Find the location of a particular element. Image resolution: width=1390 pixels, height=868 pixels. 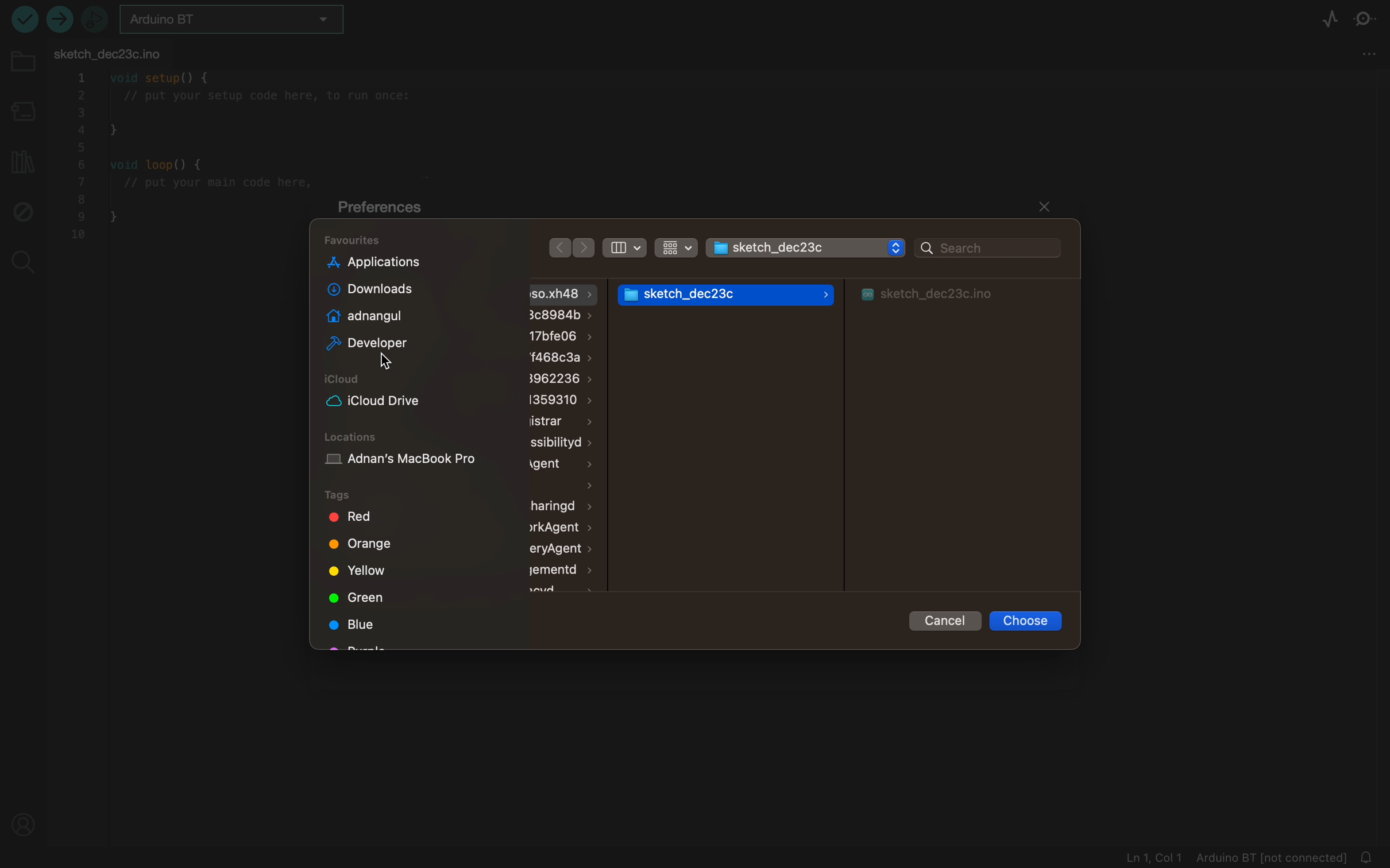

close is located at coordinates (1044, 208).